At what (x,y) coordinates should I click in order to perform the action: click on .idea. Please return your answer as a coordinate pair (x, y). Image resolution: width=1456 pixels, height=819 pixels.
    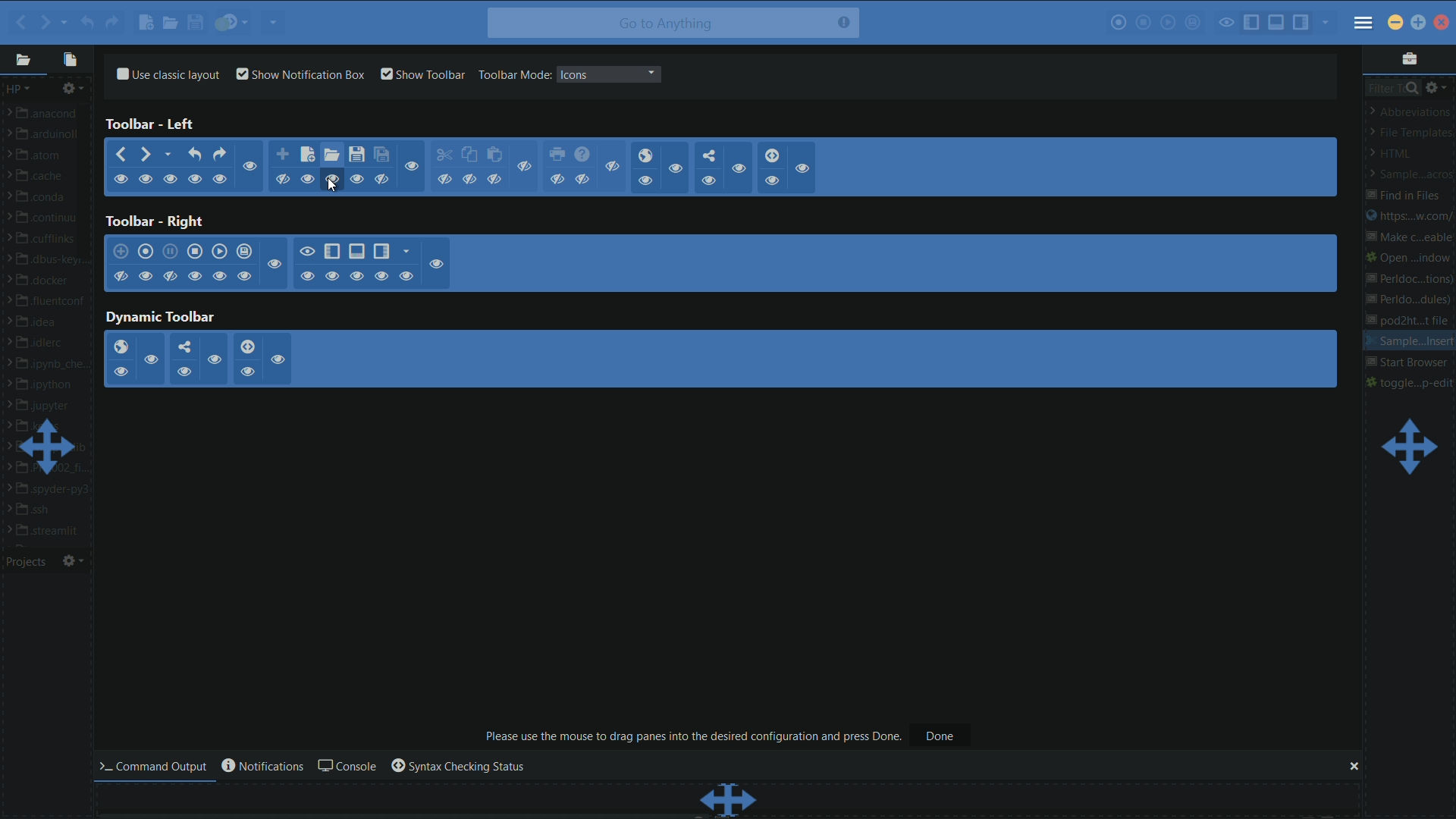
    Looking at the image, I should click on (43, 322).